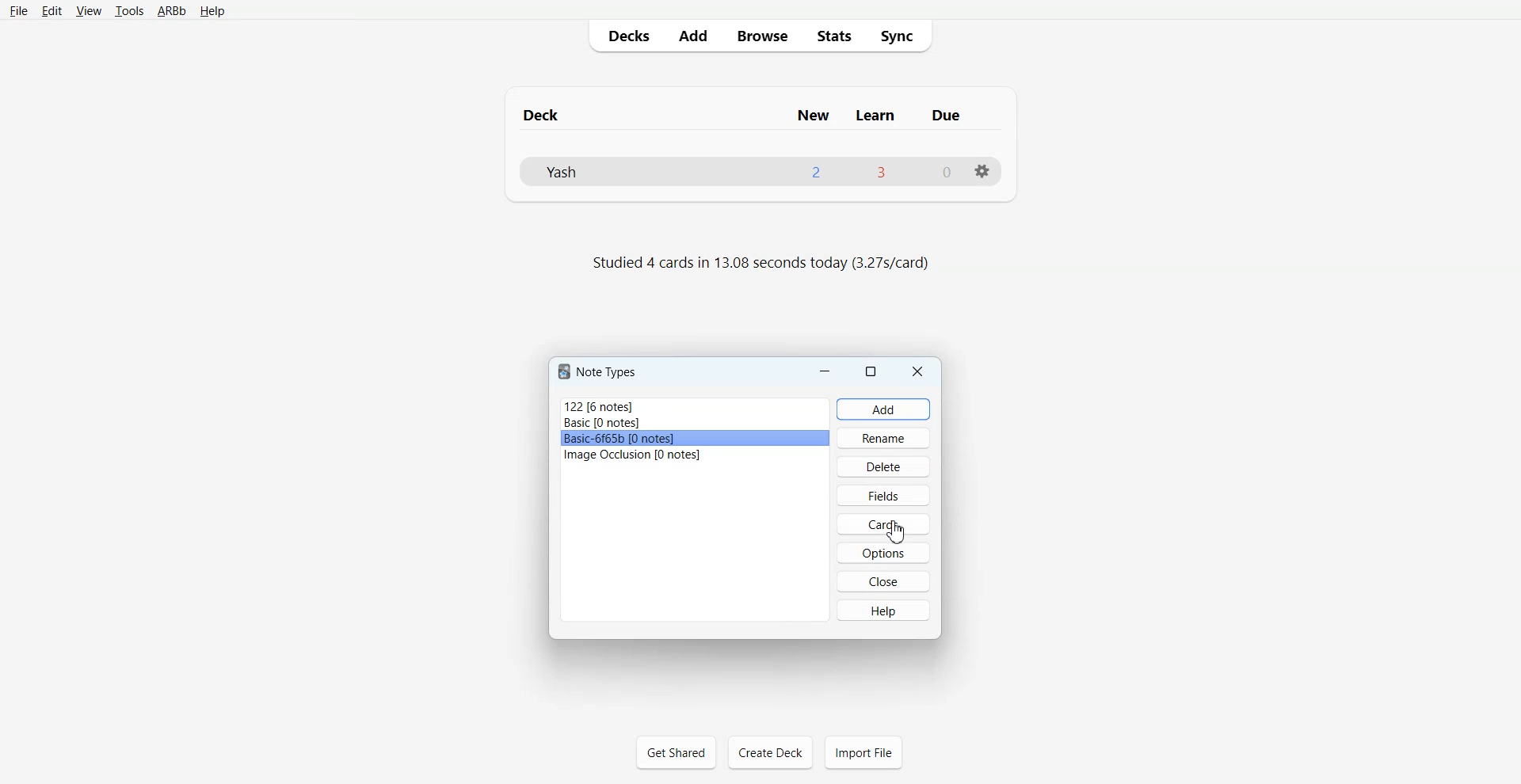  What do you see at coordinates (172, 11) in the screenshot?
I see `ARBb` at bounding box center [172, 11].